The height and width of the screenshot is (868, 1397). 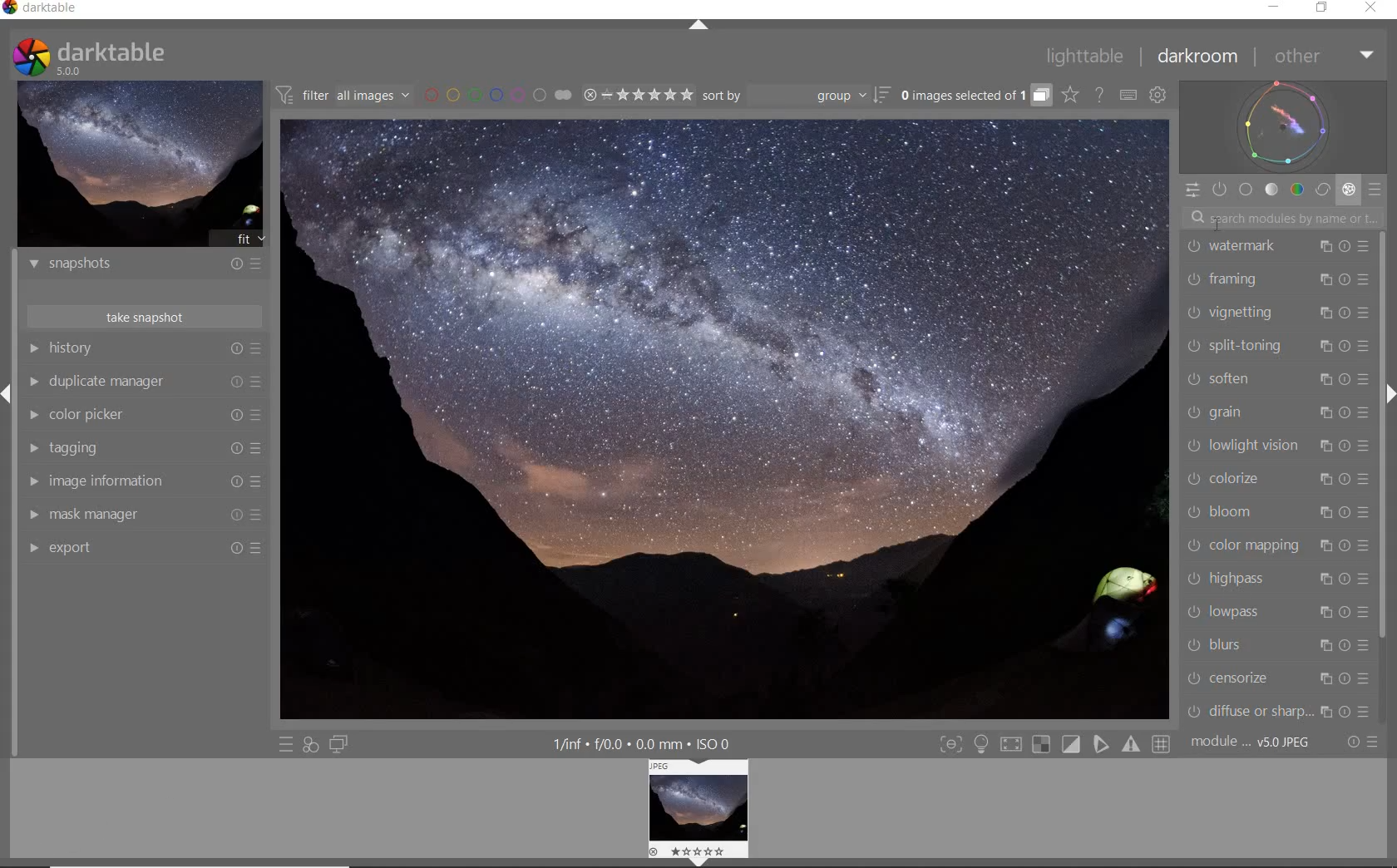 I want to click on RESET OR PRESETS & PREFERENCES, so click(x=1364, y=741).